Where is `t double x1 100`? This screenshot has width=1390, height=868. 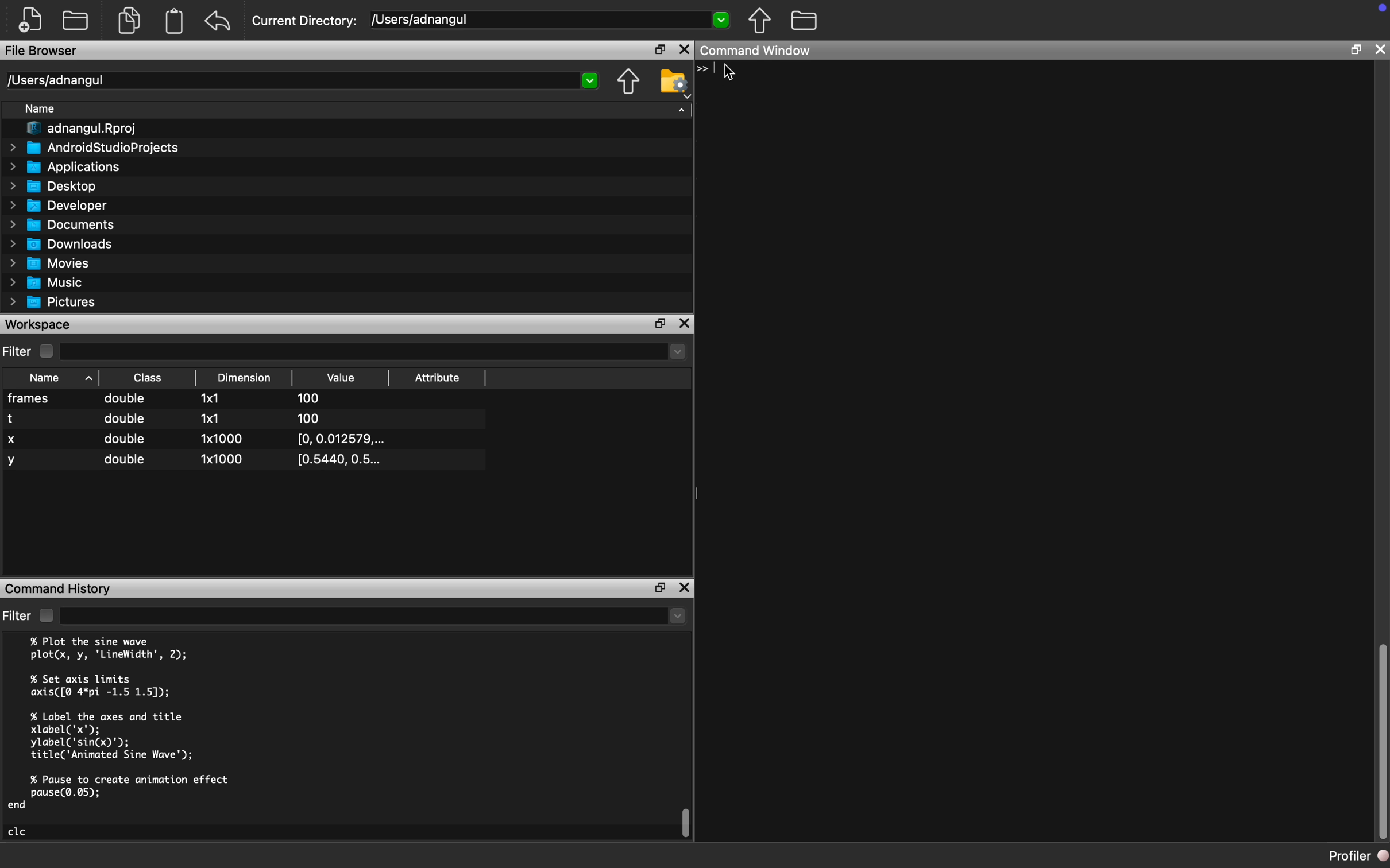
t double x1 100 is located at coordinates (173, 418).